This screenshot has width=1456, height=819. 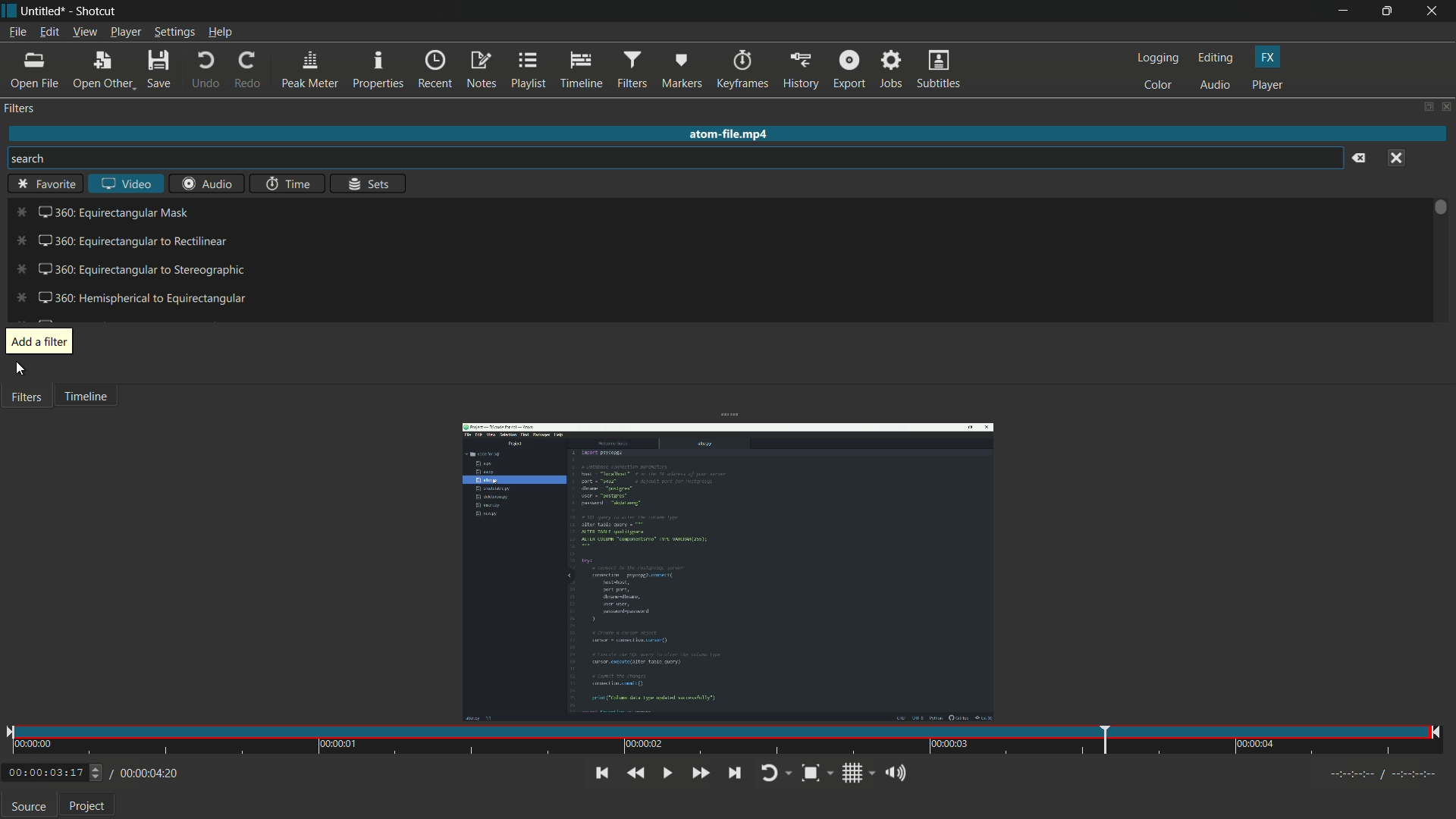 I want to click on playlist, so click(x=529, y=71).